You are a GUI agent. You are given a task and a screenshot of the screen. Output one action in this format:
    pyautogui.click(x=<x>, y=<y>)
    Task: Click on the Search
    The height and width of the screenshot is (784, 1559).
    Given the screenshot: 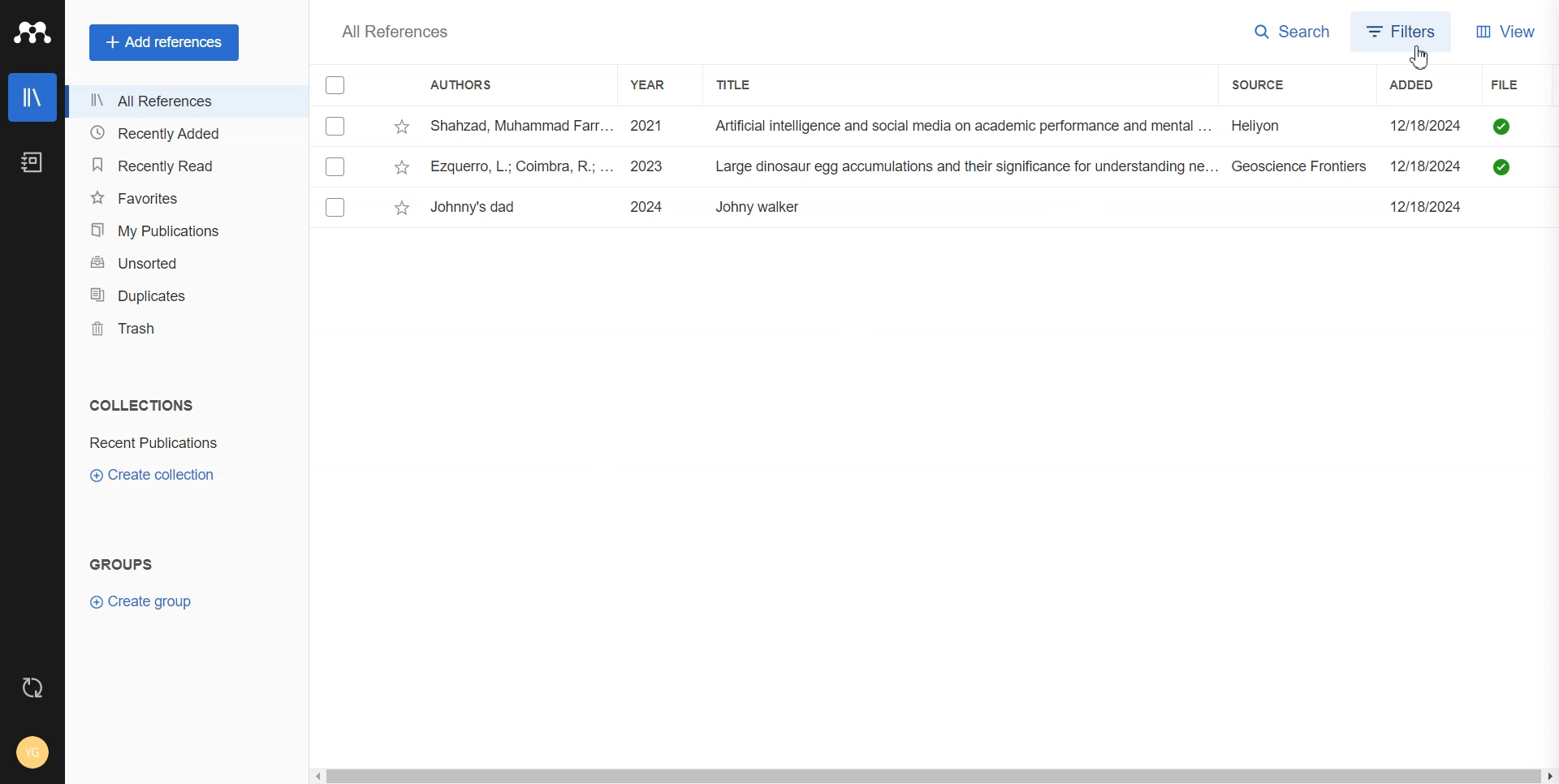 What is the action you would take?
    pyautogui.click(x=1293, y=32)
    